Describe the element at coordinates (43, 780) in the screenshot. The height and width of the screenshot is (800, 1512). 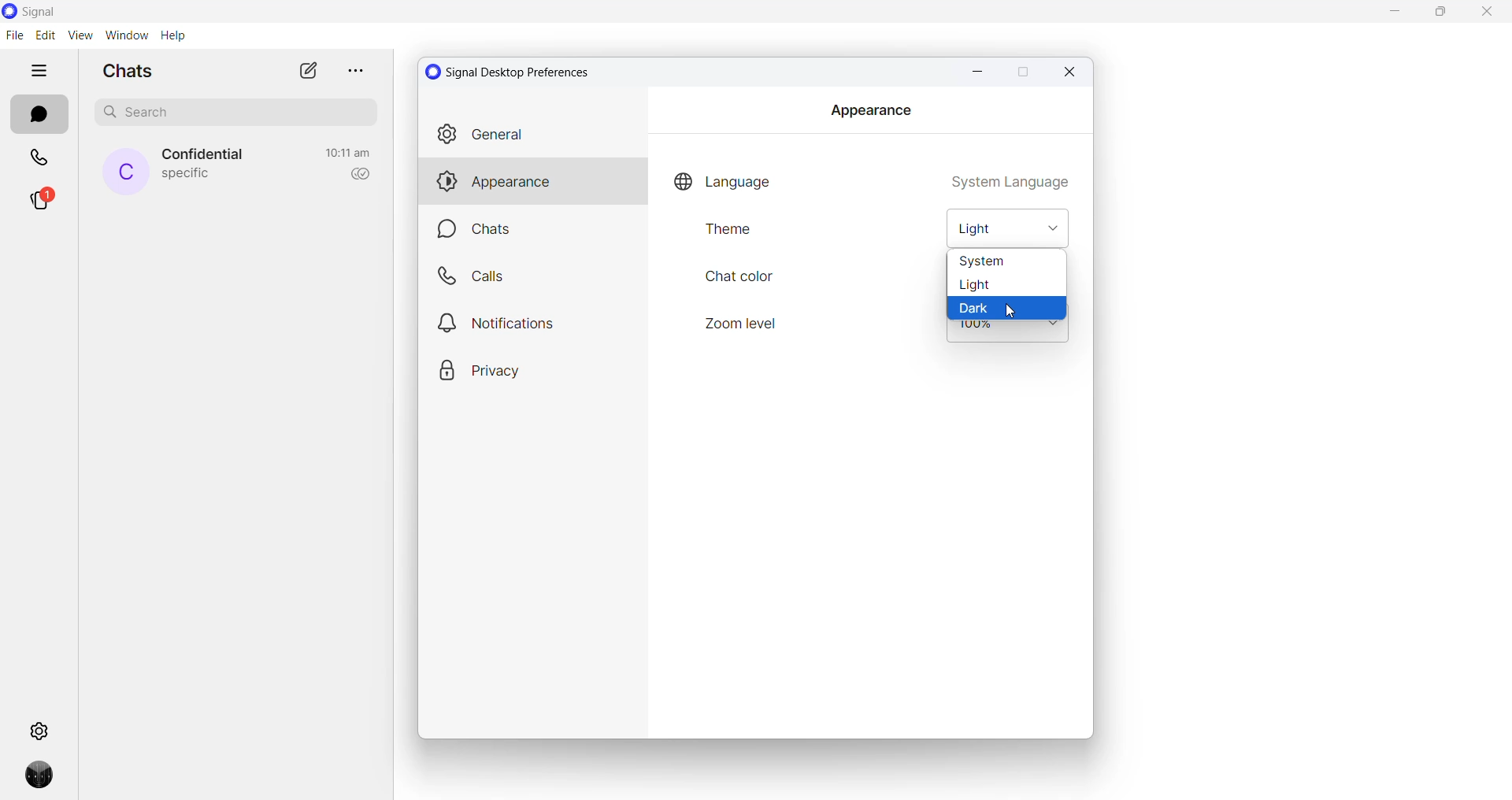
I see `profile picture` at that location.